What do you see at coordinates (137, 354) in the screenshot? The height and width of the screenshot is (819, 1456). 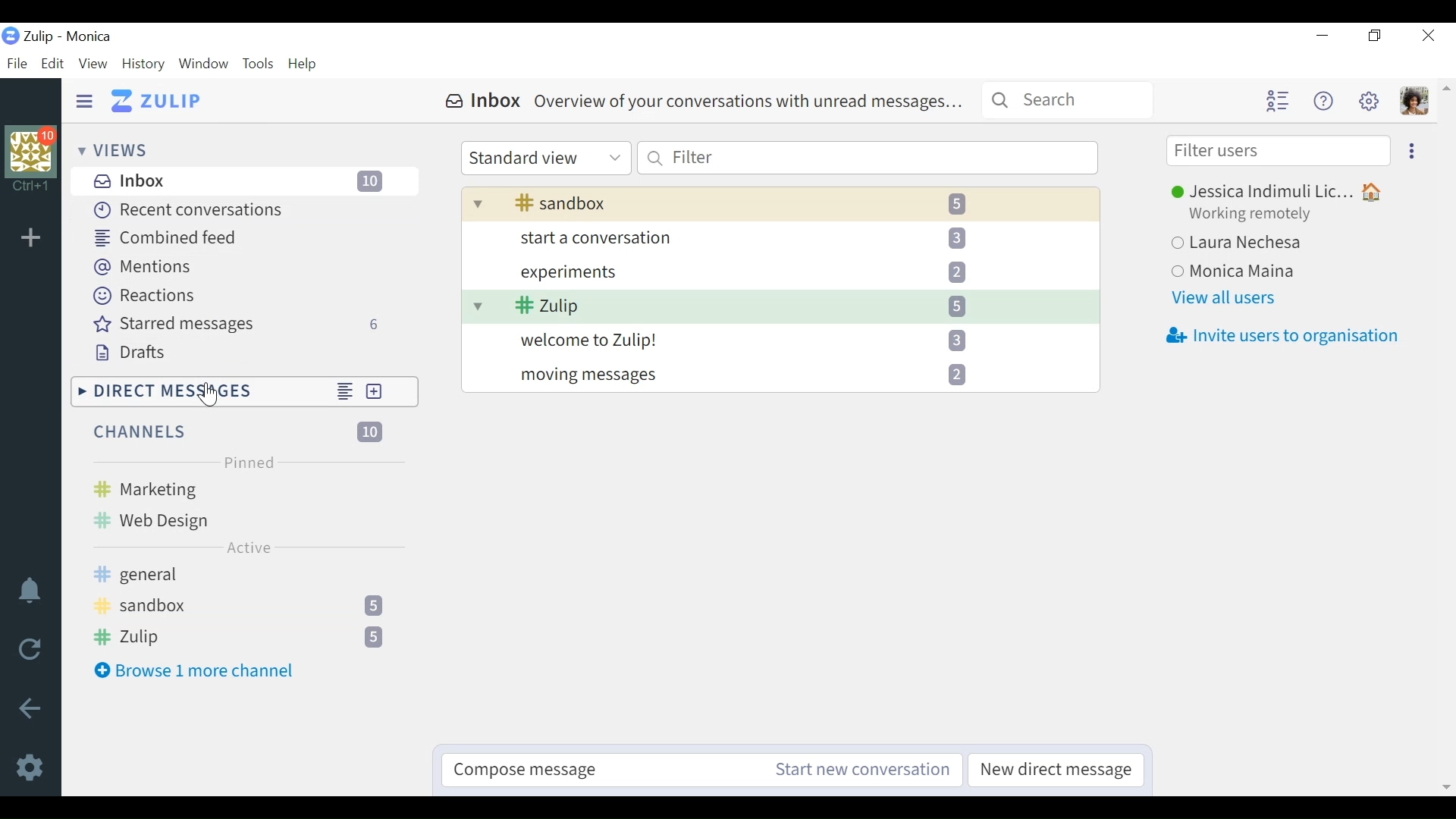 I see `Drafts` at bounding box center [137, 354].